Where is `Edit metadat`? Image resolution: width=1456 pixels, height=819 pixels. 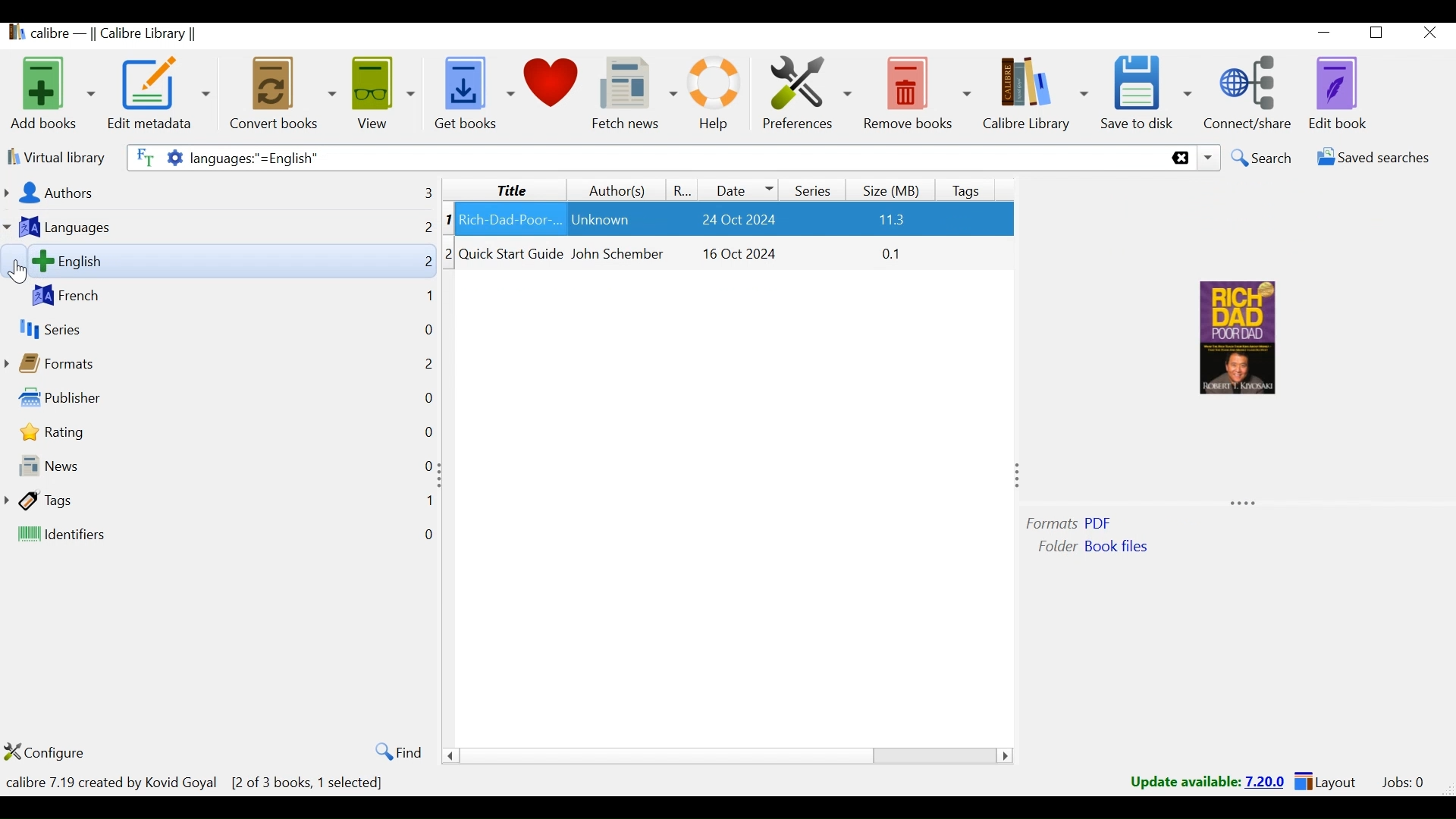
Edit metadat is located at coordinates (160, 93).